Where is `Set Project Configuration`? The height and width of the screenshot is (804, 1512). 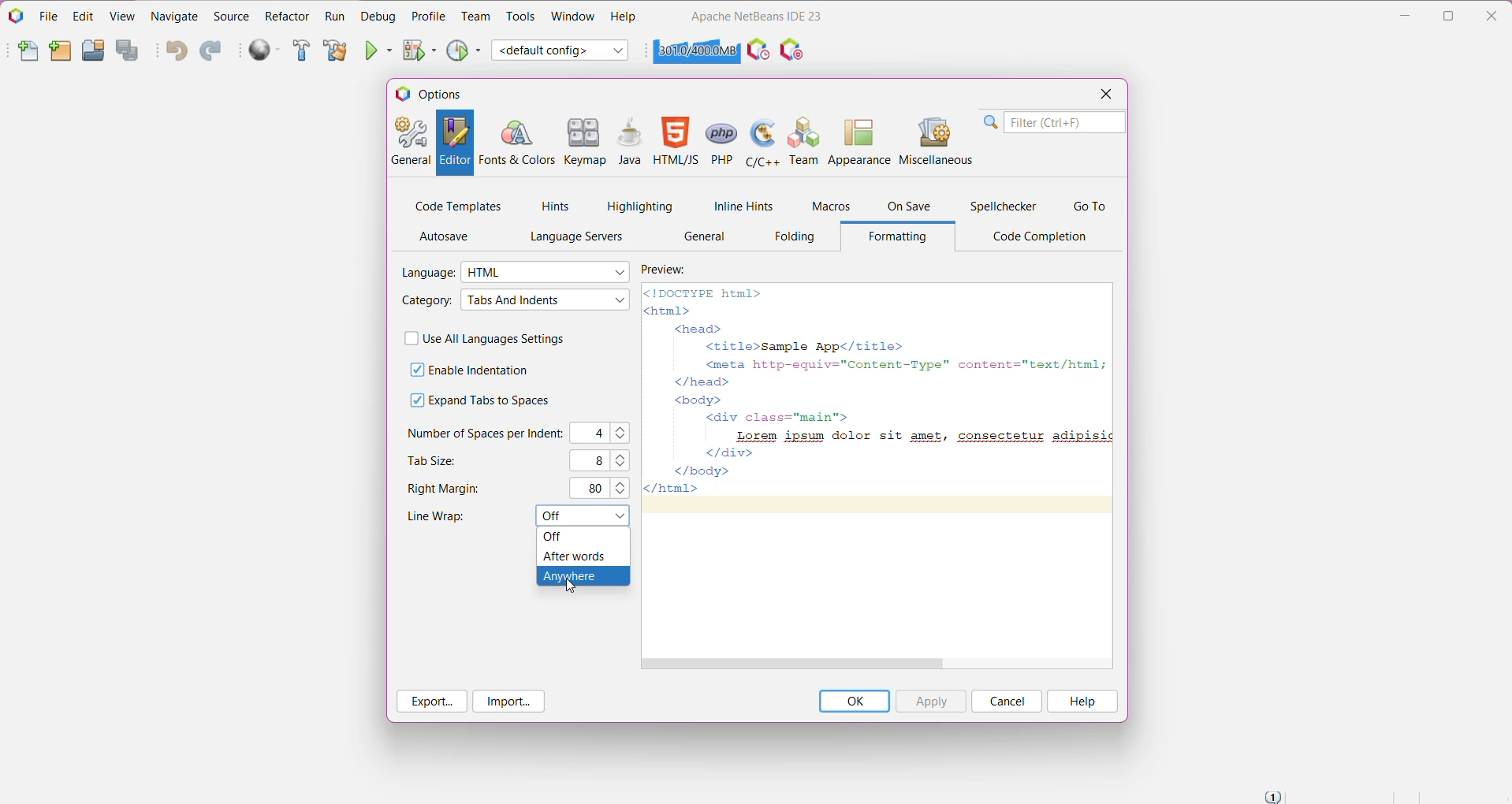
Set Project Configuration is located at coordinates (561, 50).